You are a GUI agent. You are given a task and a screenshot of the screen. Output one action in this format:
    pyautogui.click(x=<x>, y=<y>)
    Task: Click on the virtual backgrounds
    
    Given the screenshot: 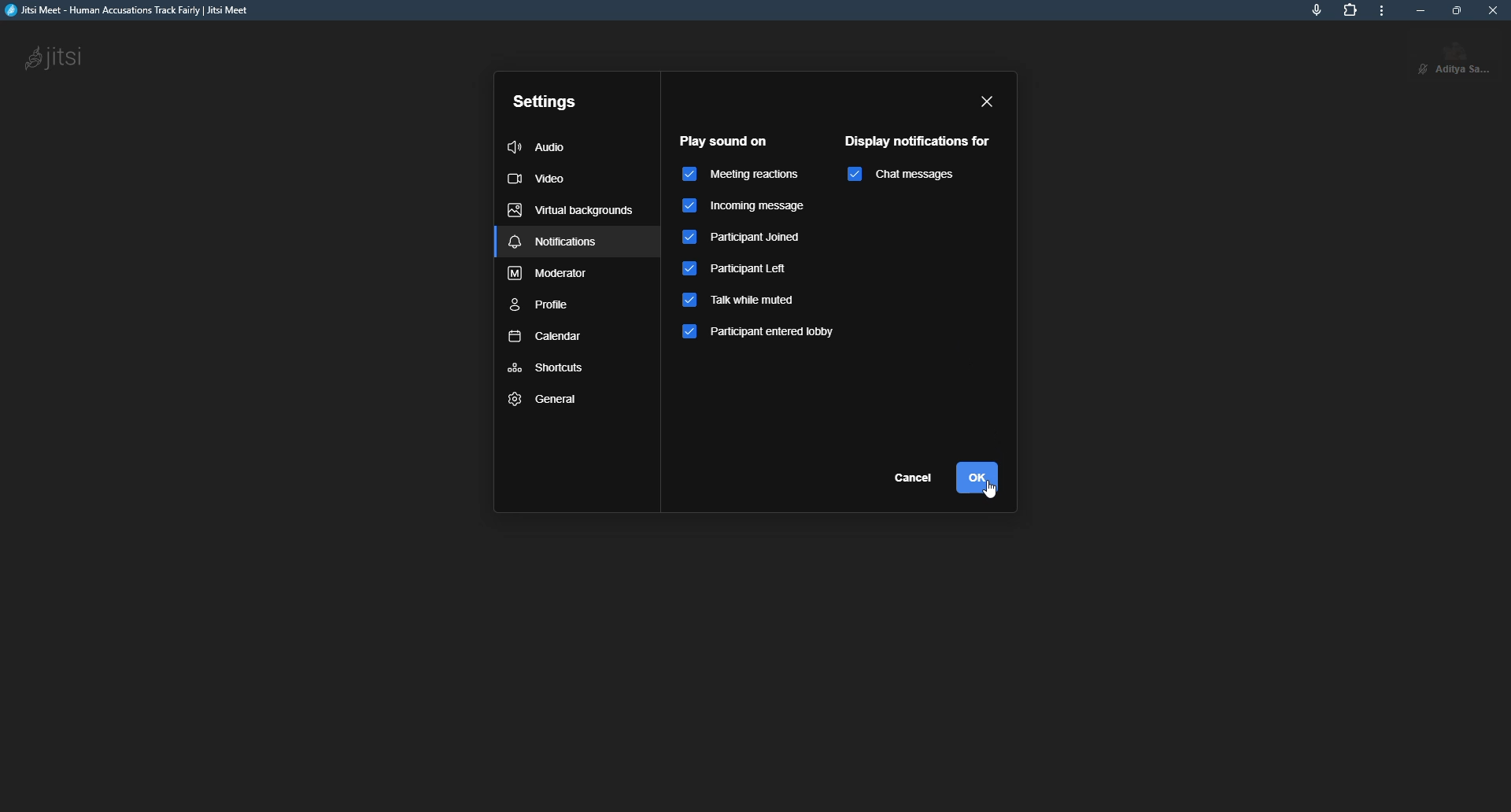 What is the action you would take?
    pyautogui.click(x=569, y=211)
    